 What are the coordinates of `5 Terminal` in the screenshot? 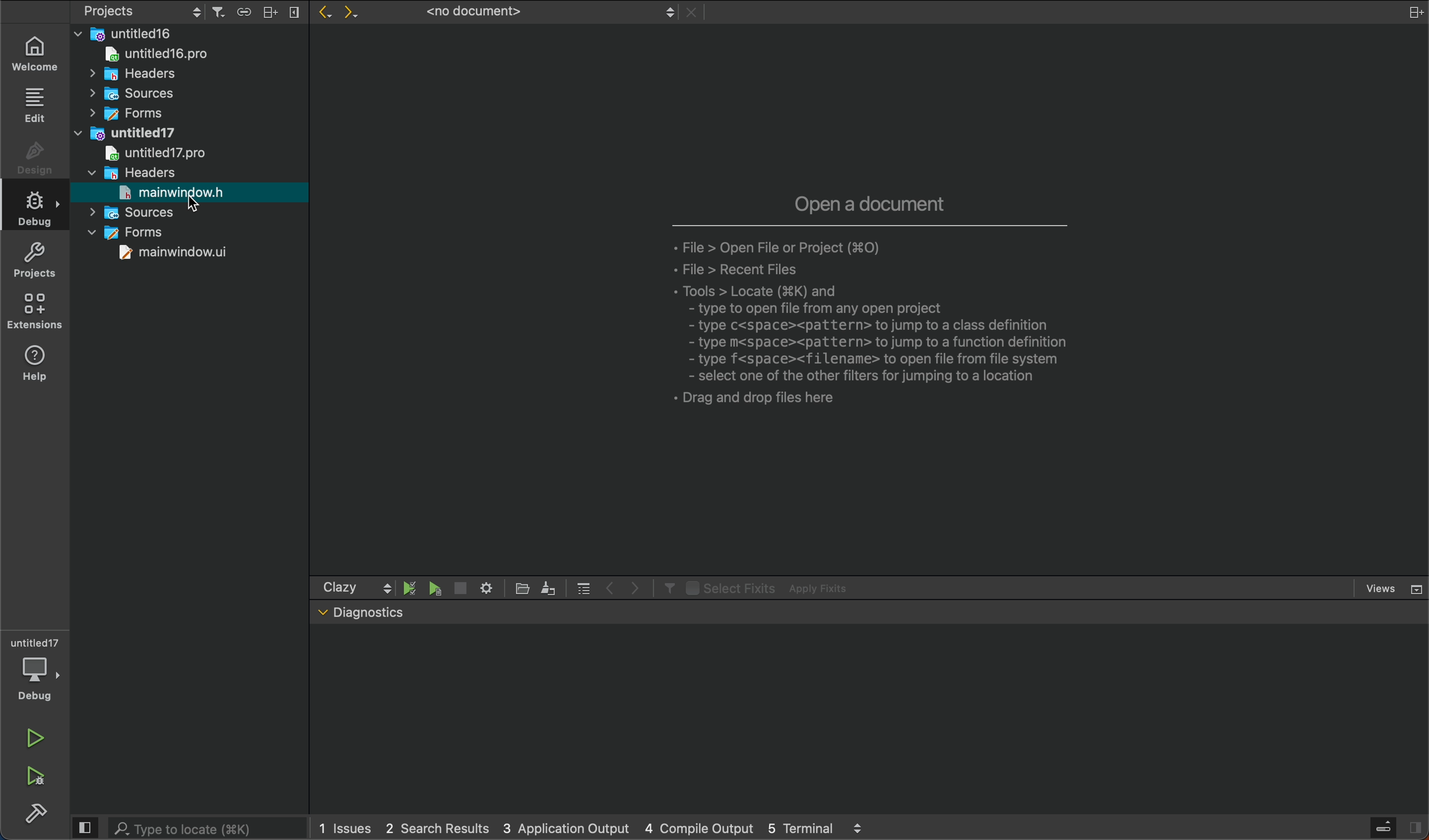 It's located at (800, 826).